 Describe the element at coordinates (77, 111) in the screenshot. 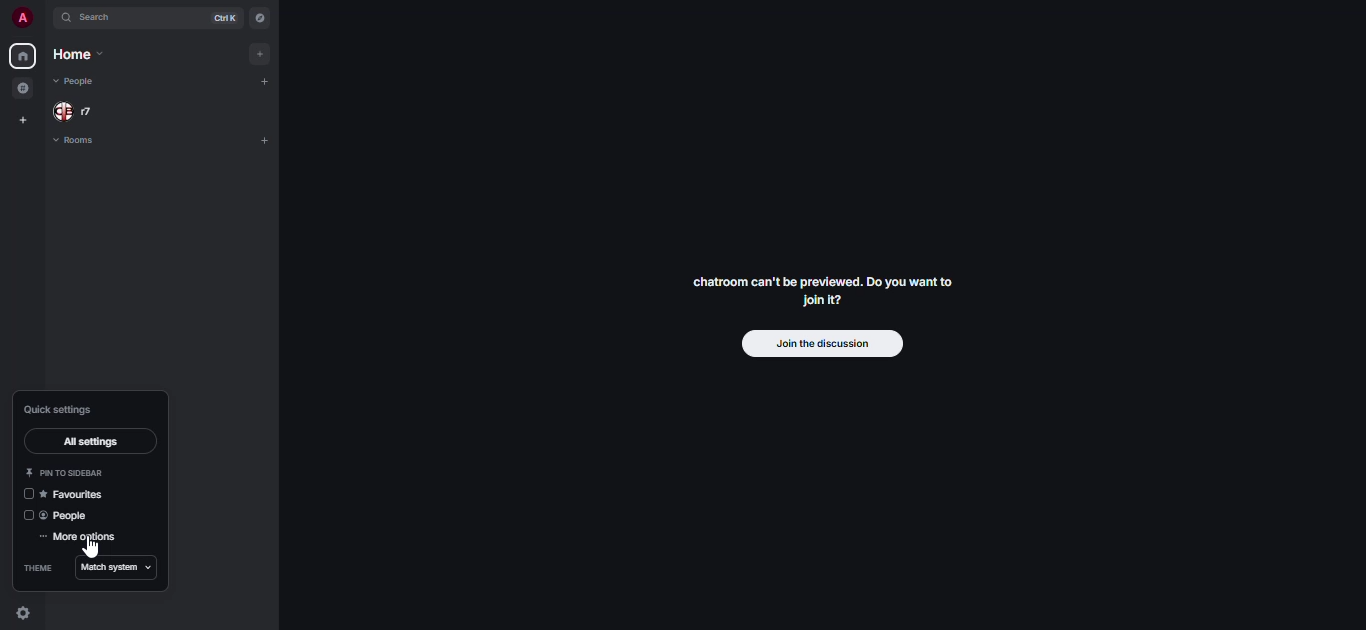

I see `people` at that location.